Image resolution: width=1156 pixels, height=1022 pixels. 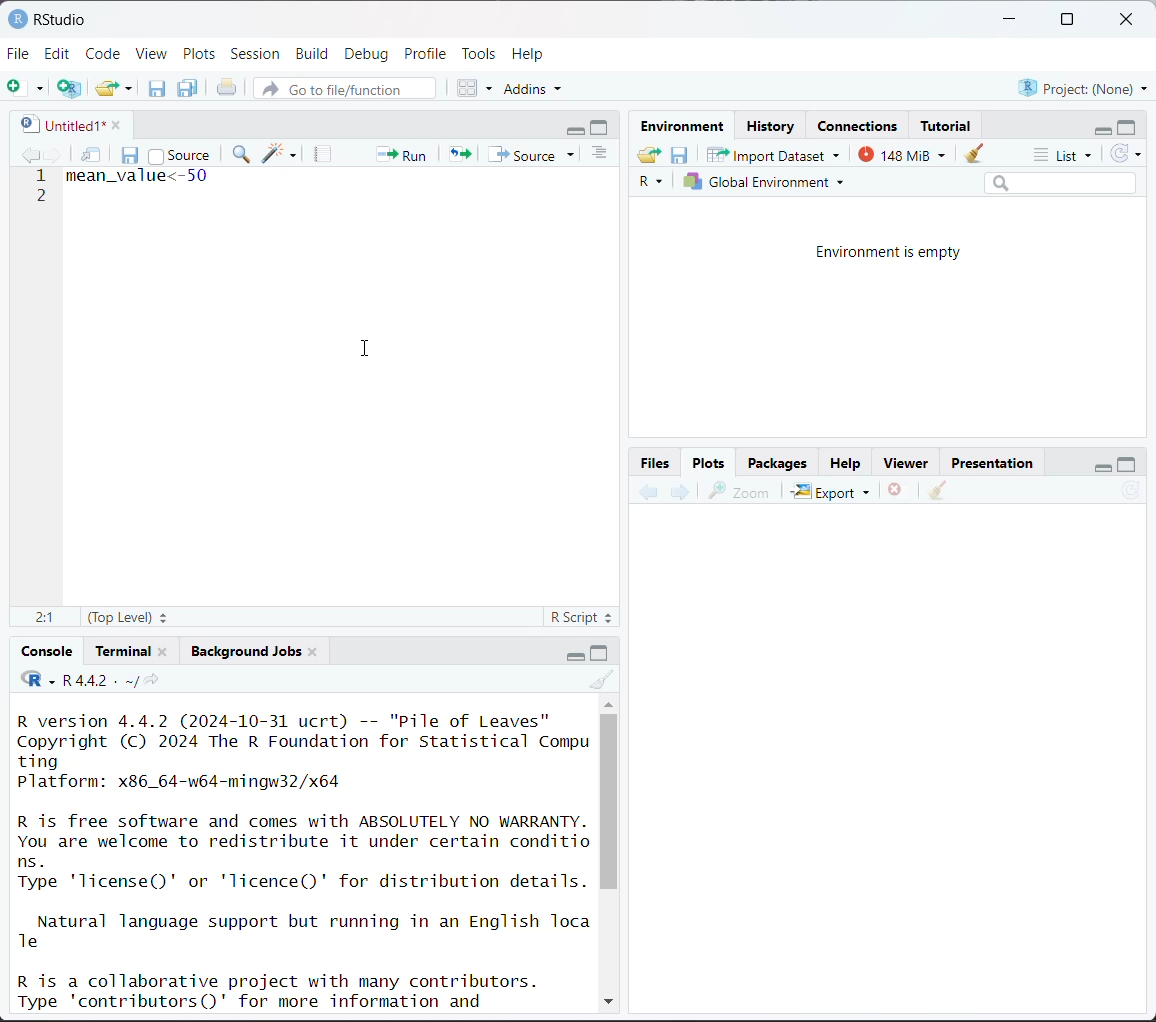 I want to click on go to file/function, so click(x=343, y=90).